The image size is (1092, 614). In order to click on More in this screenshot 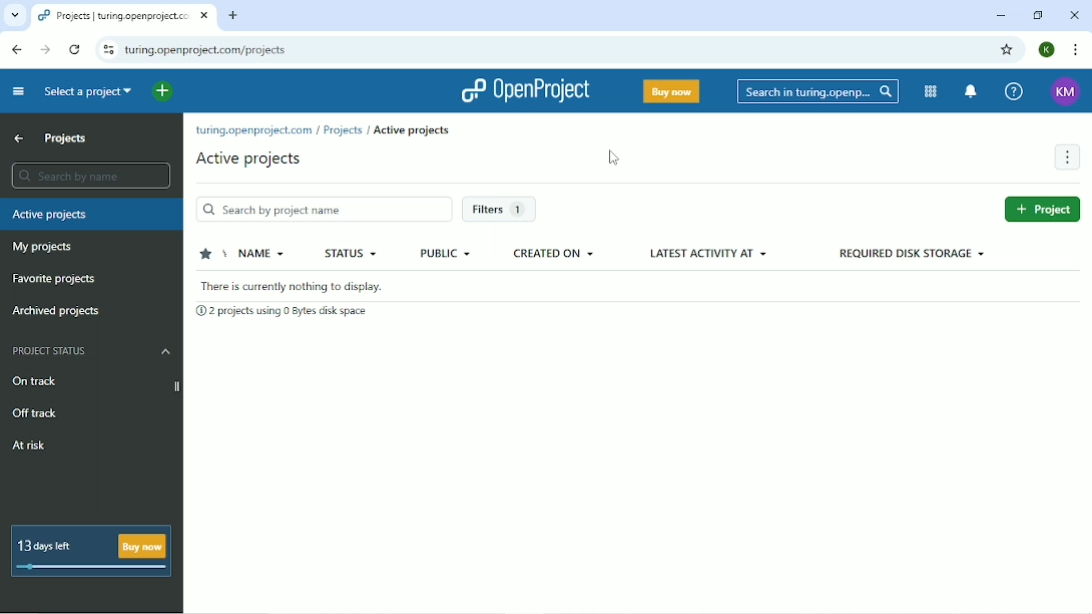, I will do `click(1066, 157)`.